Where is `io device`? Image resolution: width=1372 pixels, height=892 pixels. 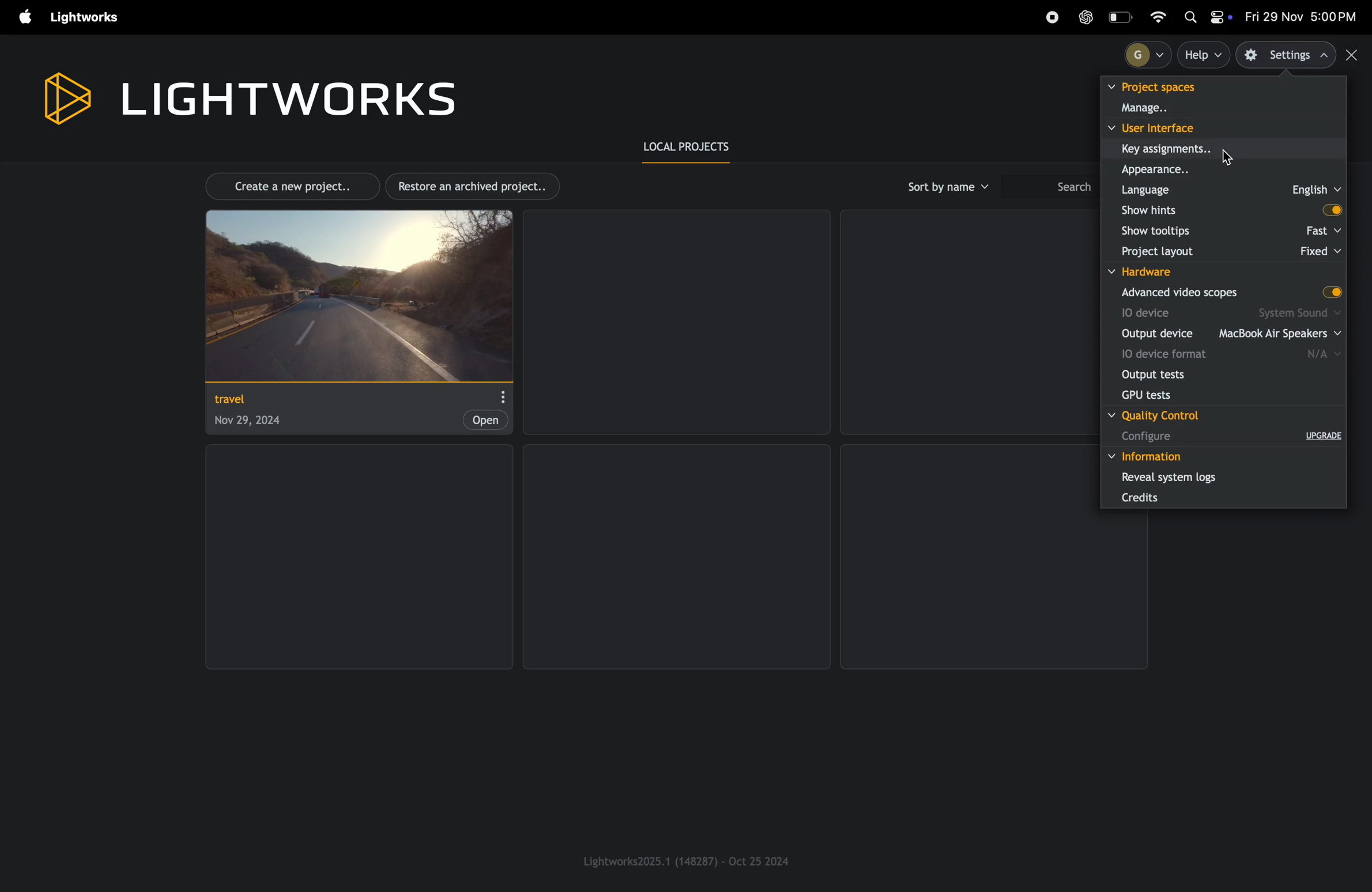 io device is located at coordinates (1224, 315).